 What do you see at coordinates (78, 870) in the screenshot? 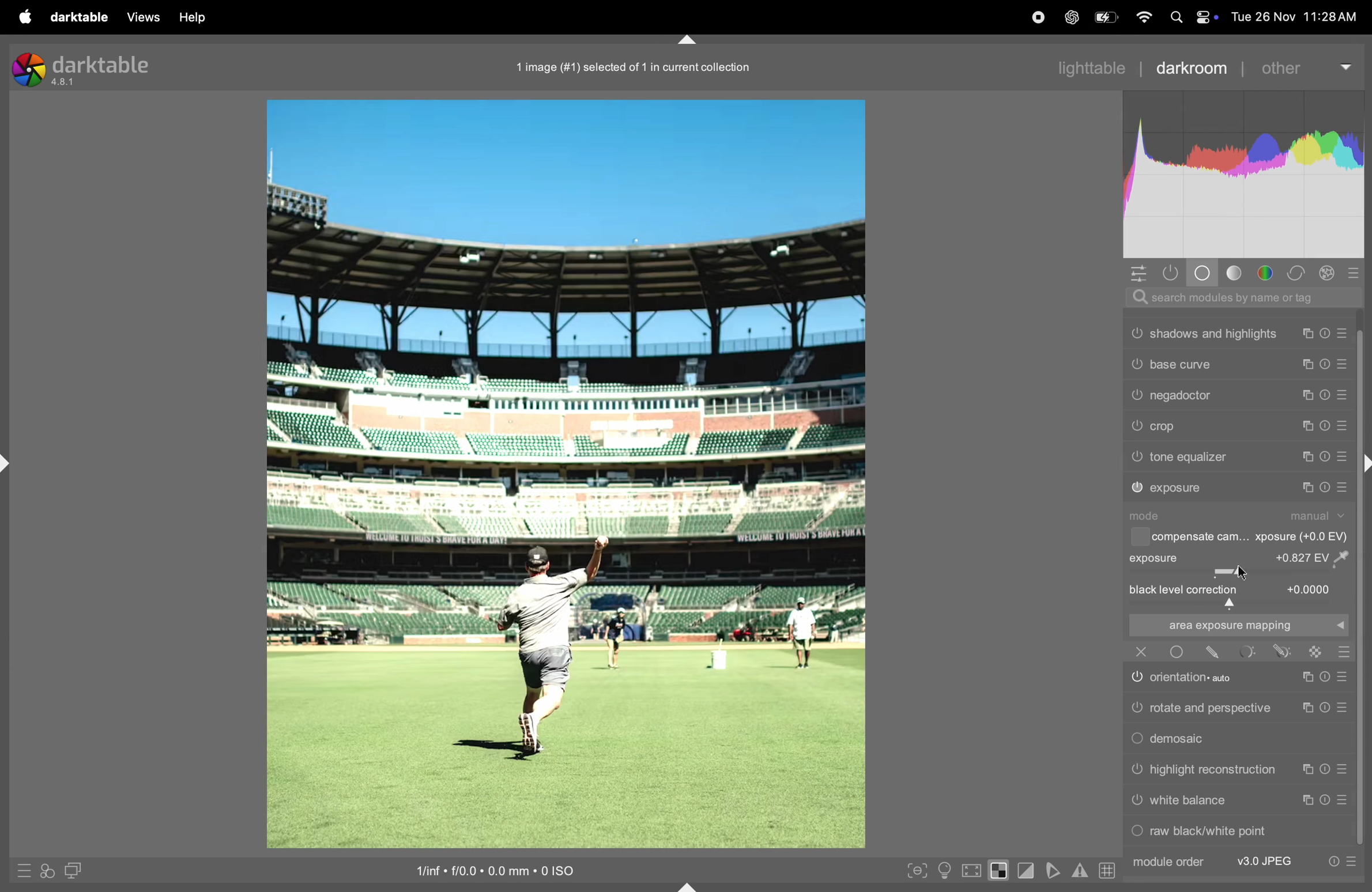
I see `display second dark room` at bounding box center [78, 870].